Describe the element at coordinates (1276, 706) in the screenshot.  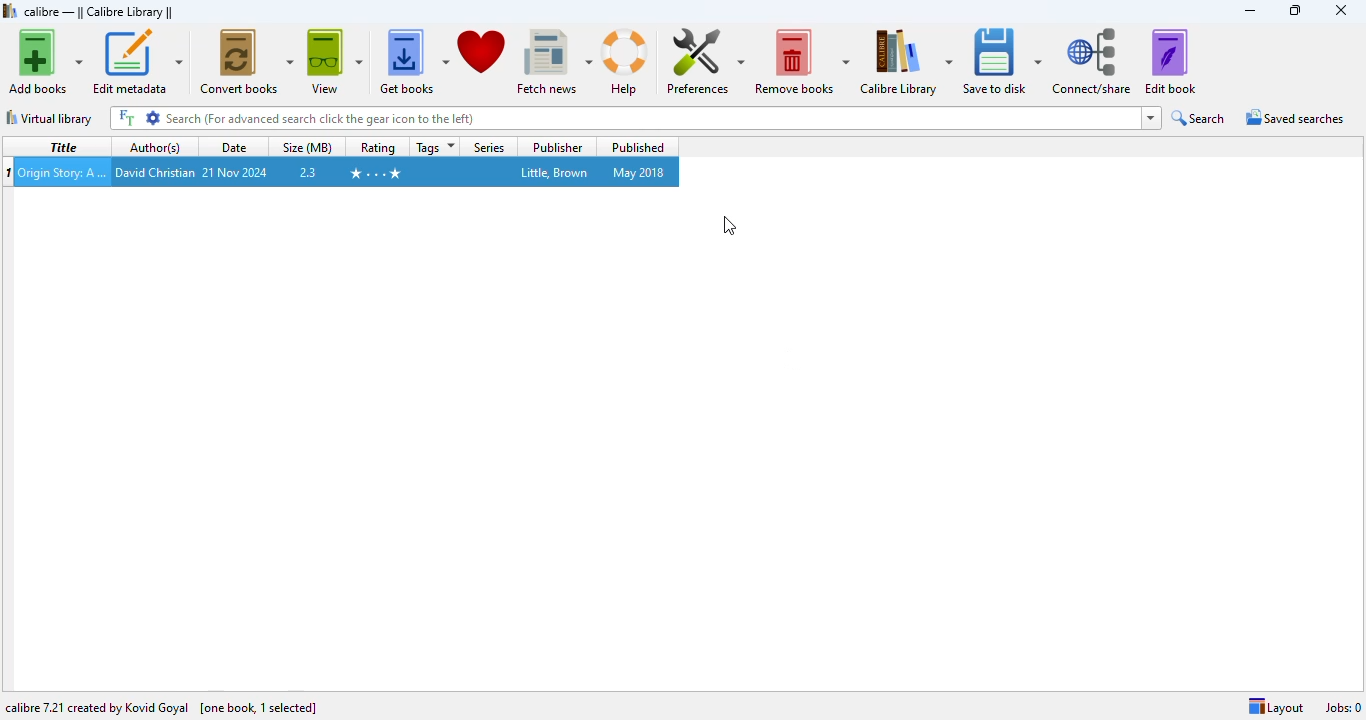
I see `layout` at that location.